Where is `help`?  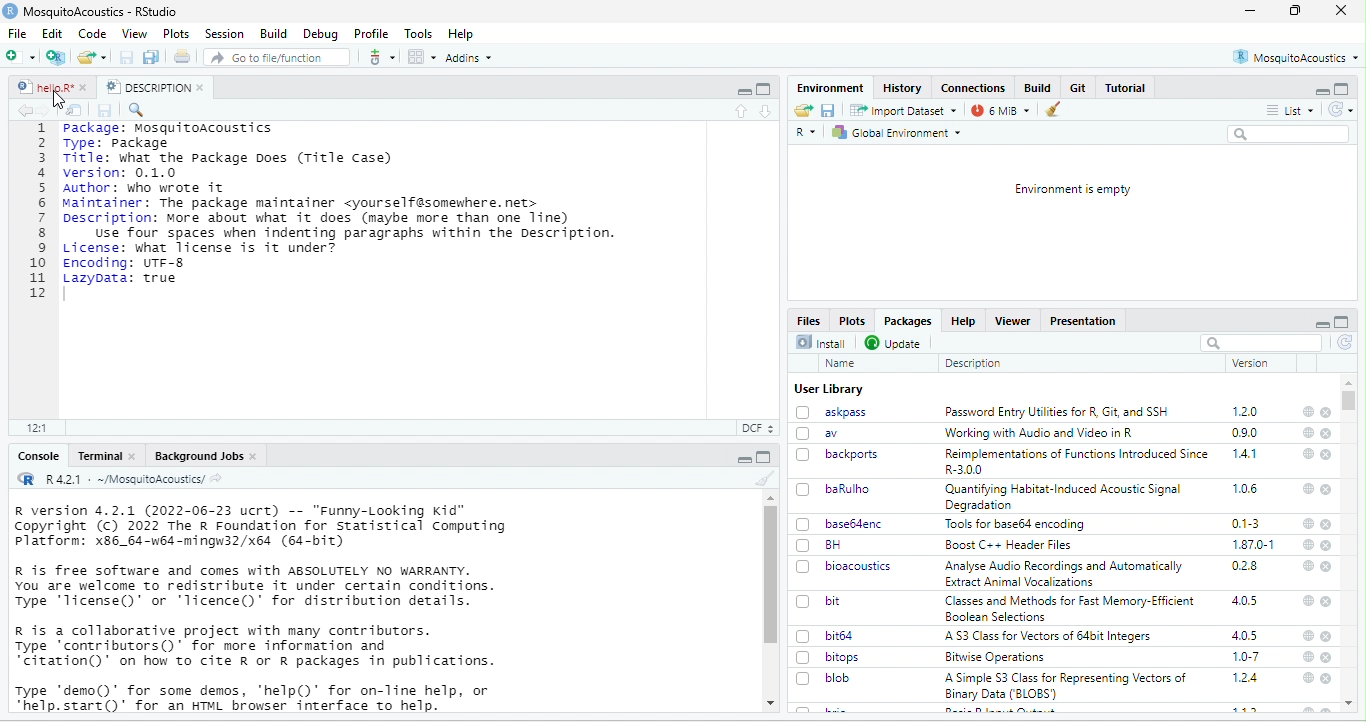
help is located at coordinates (1306, 523).